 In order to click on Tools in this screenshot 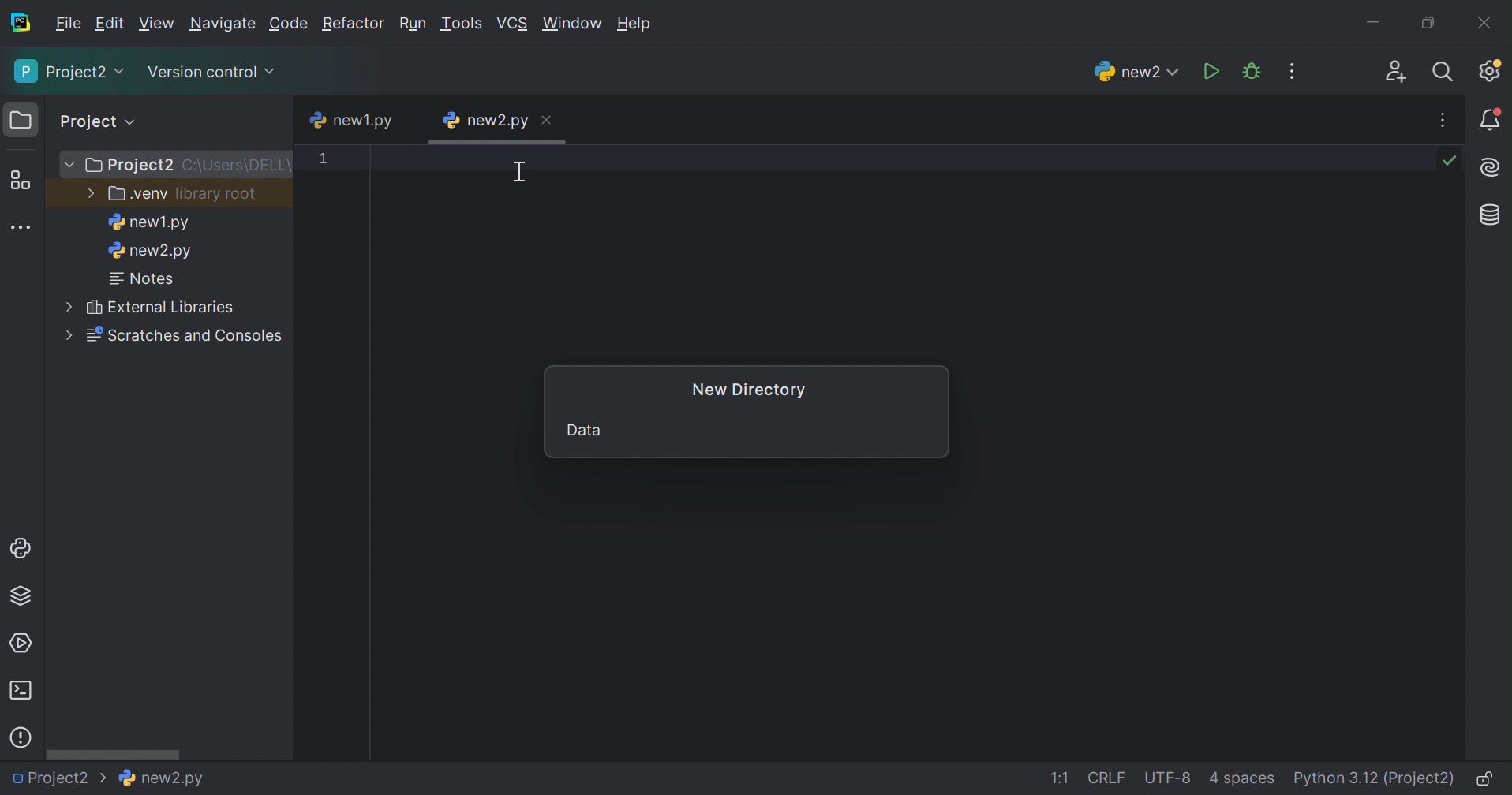, I will do `click(464, 24)`.